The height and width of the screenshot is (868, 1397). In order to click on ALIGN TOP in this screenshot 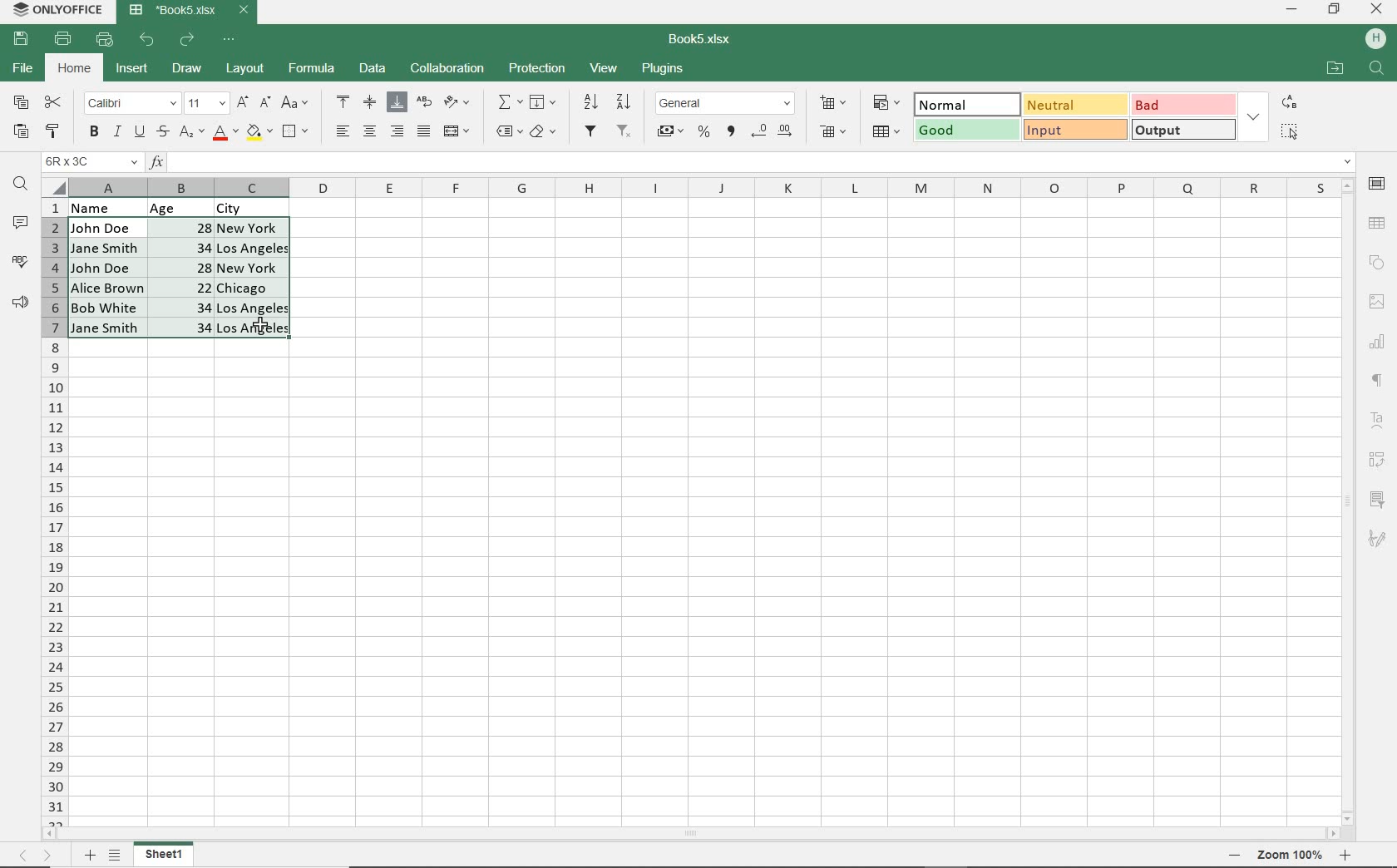, I will do `click(344, 101)`.